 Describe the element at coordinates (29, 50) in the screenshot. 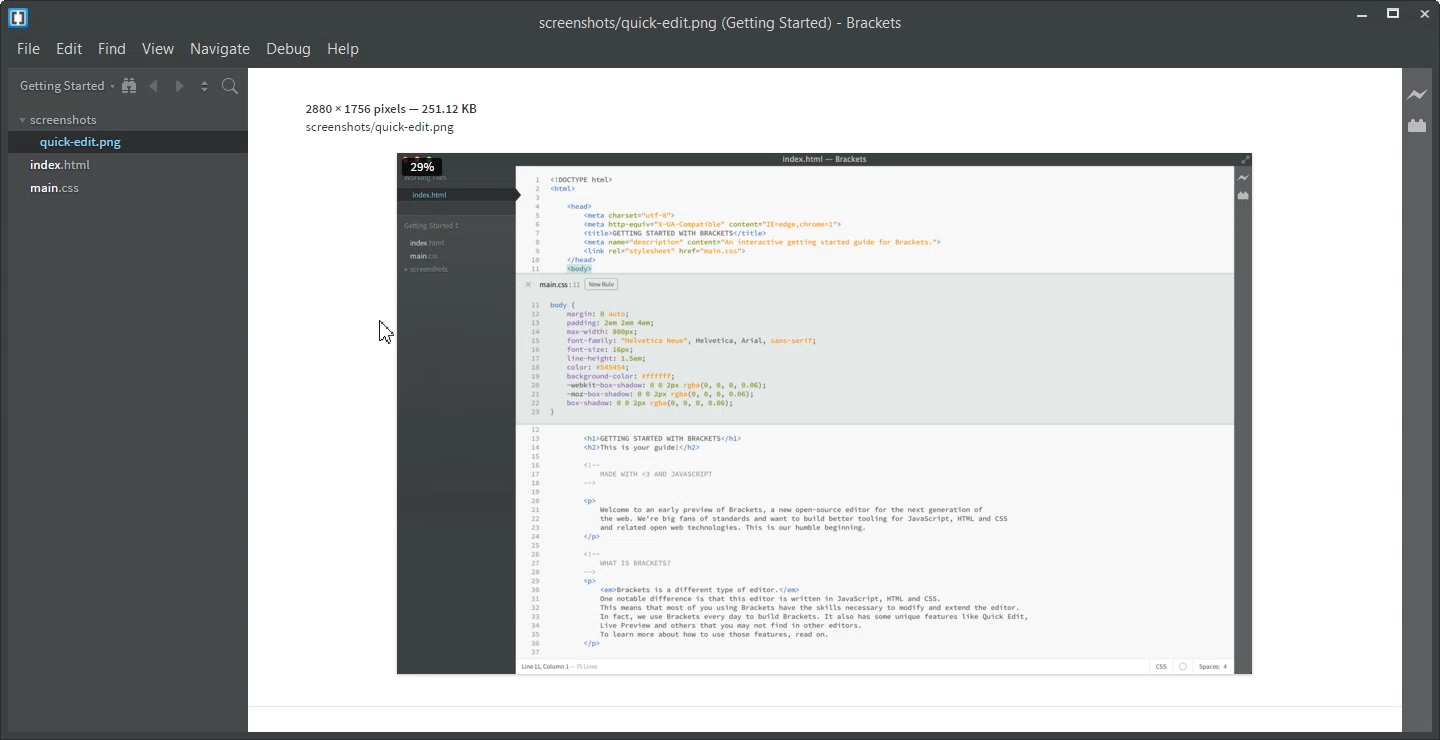

I see `File` at that location.